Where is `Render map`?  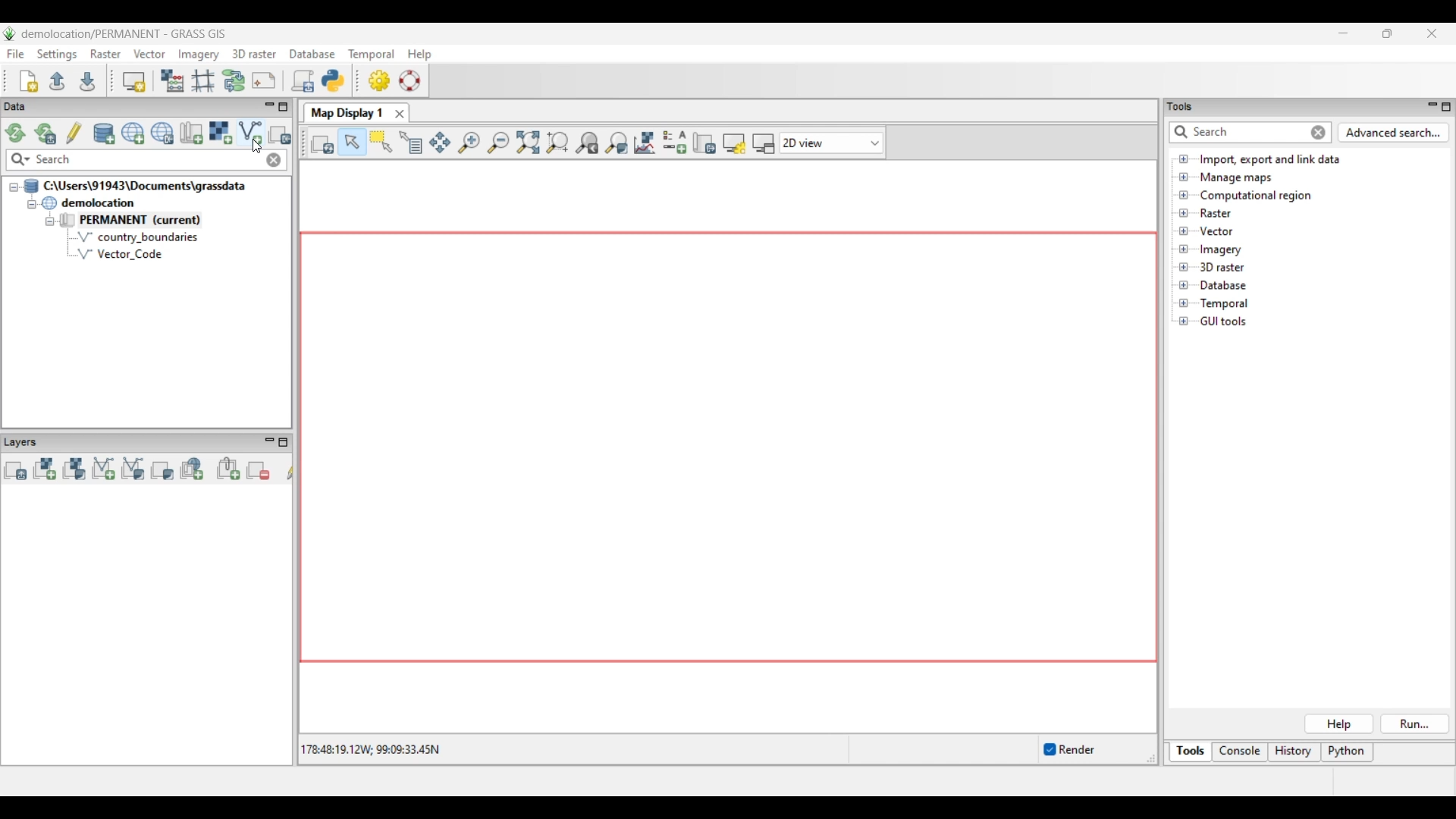
Render map is located at coordinates (322, 143).